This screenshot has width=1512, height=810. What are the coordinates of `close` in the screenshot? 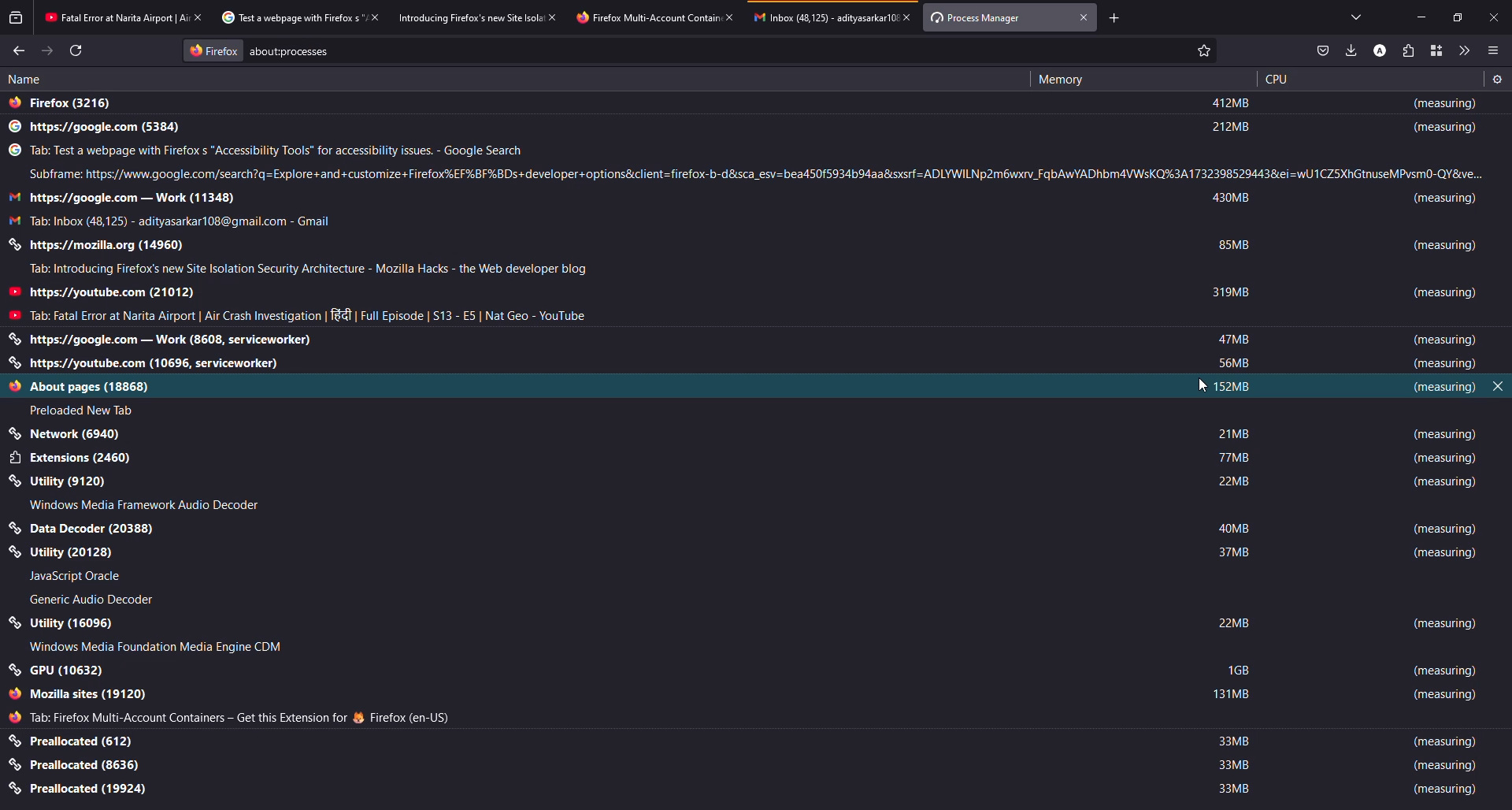 It's located at (552, 17).